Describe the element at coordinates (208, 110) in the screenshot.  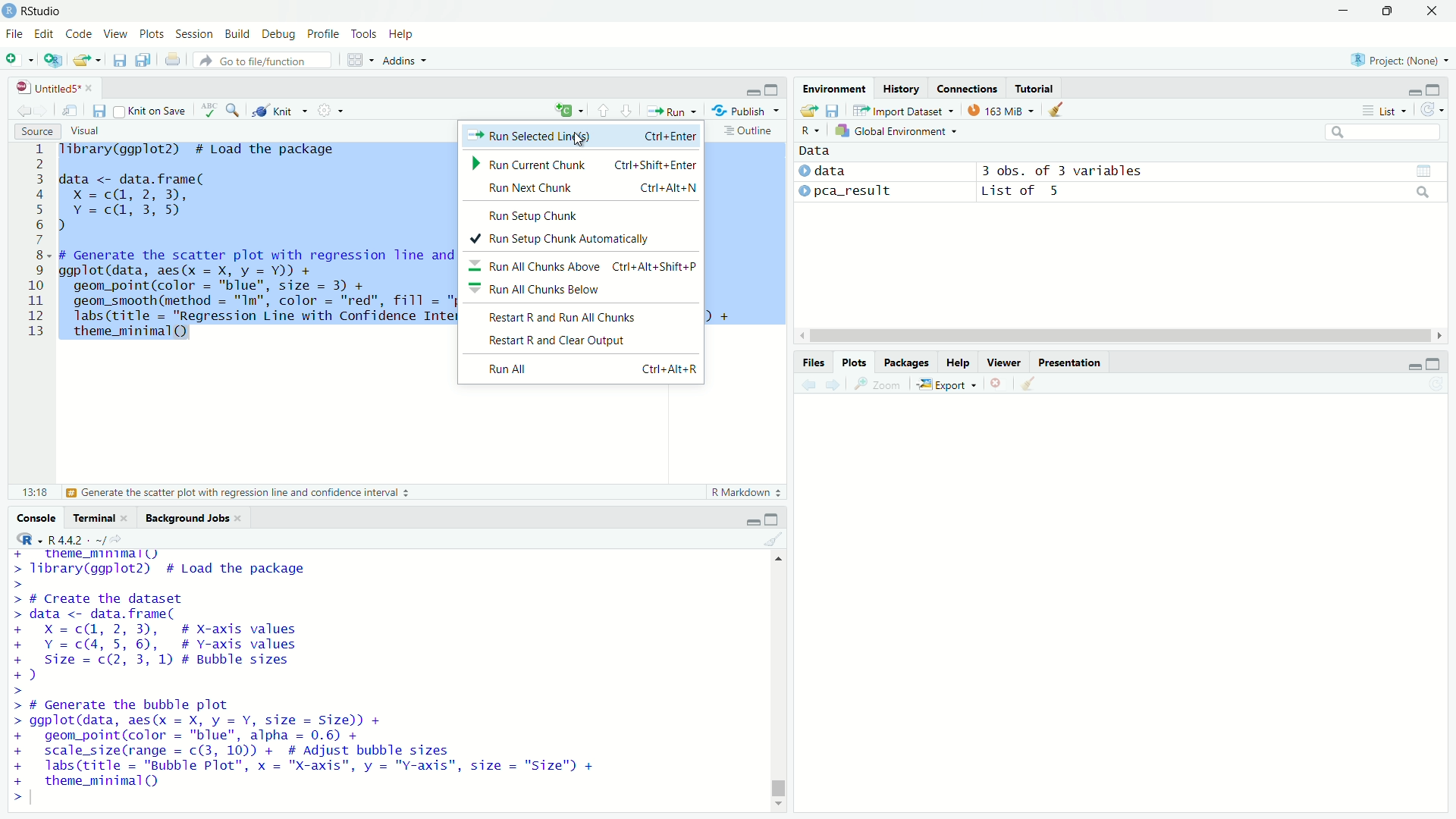
I see `Check spelling in the document` at that location.